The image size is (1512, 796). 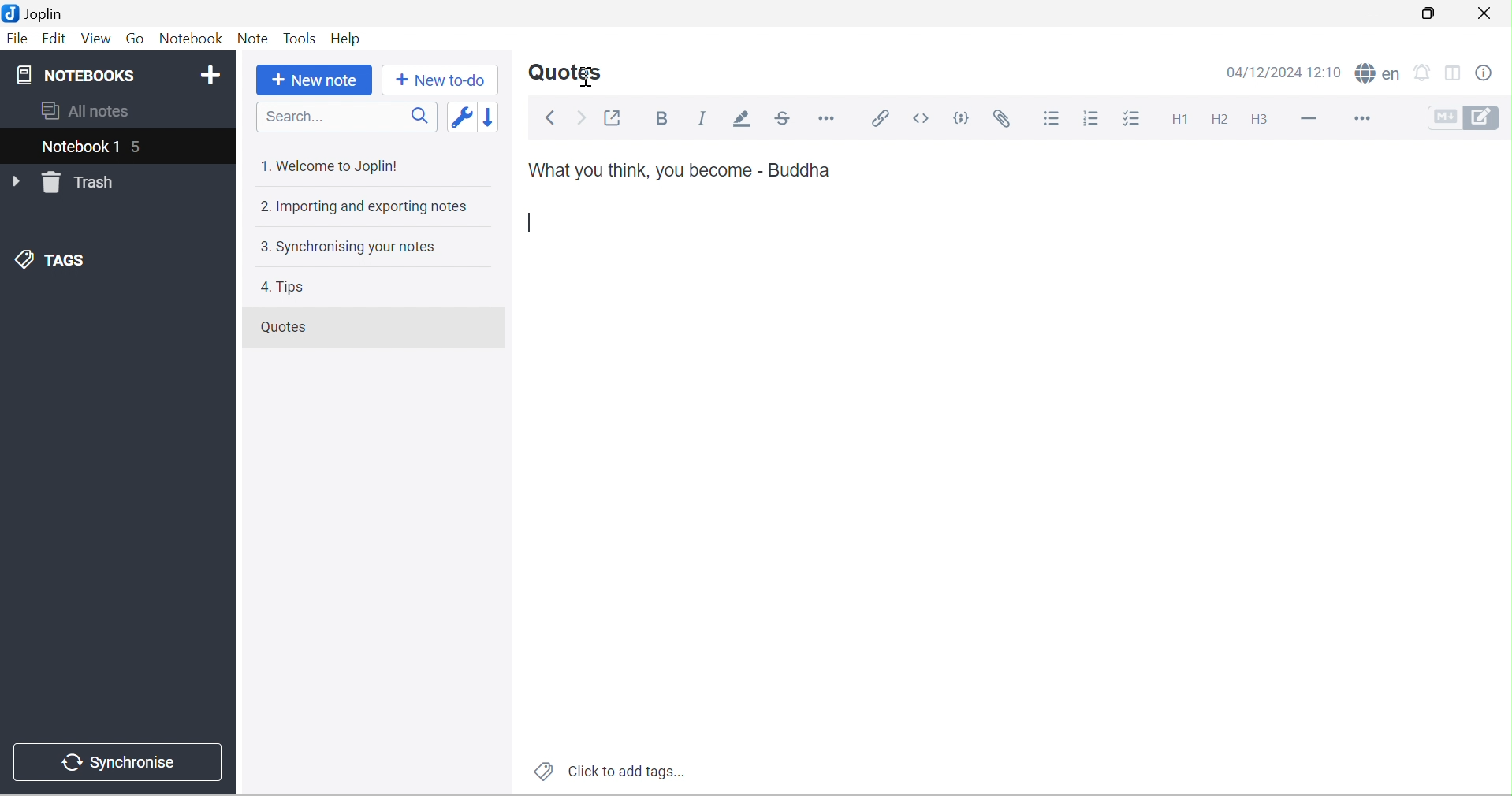 I want to click on Horizontal, so click(x=830, y=121).